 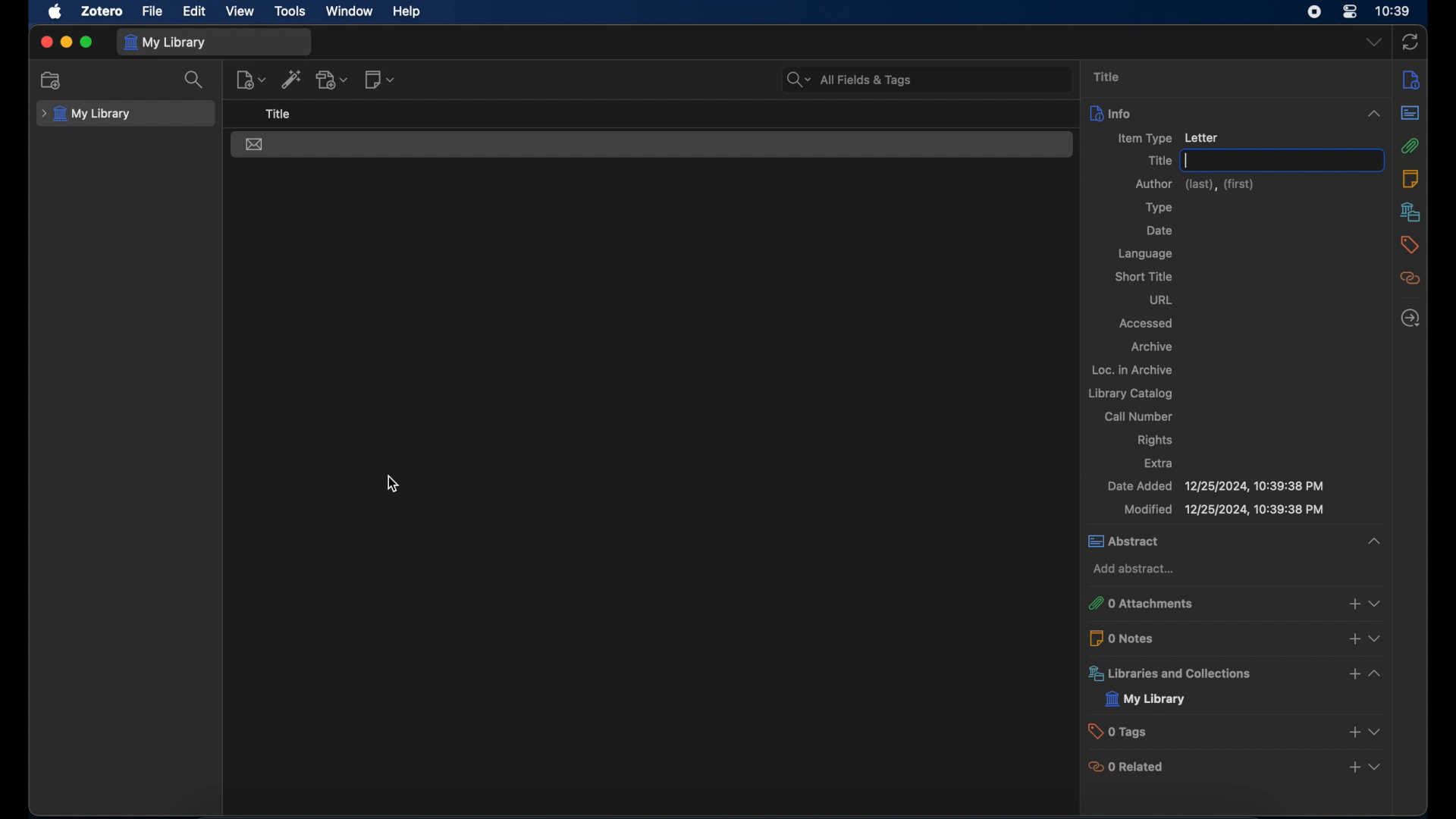 What do you see at coordinates (1121, 731) in the screenshot?
I see `0 tags` at bounding box center [1121, 731].